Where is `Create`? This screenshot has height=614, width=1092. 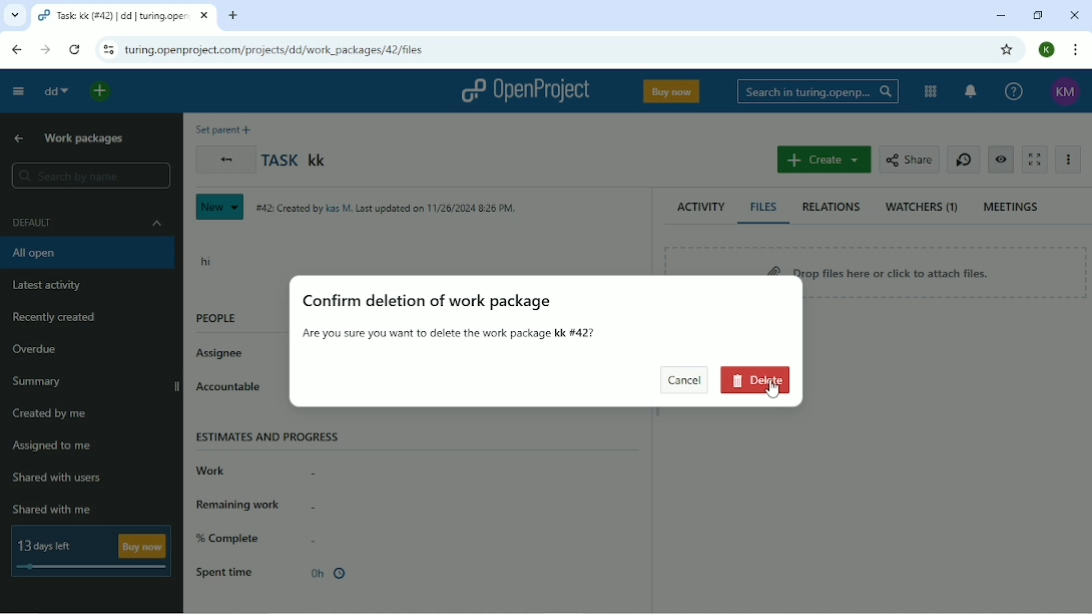
Create is located at coordinates (823, 159).